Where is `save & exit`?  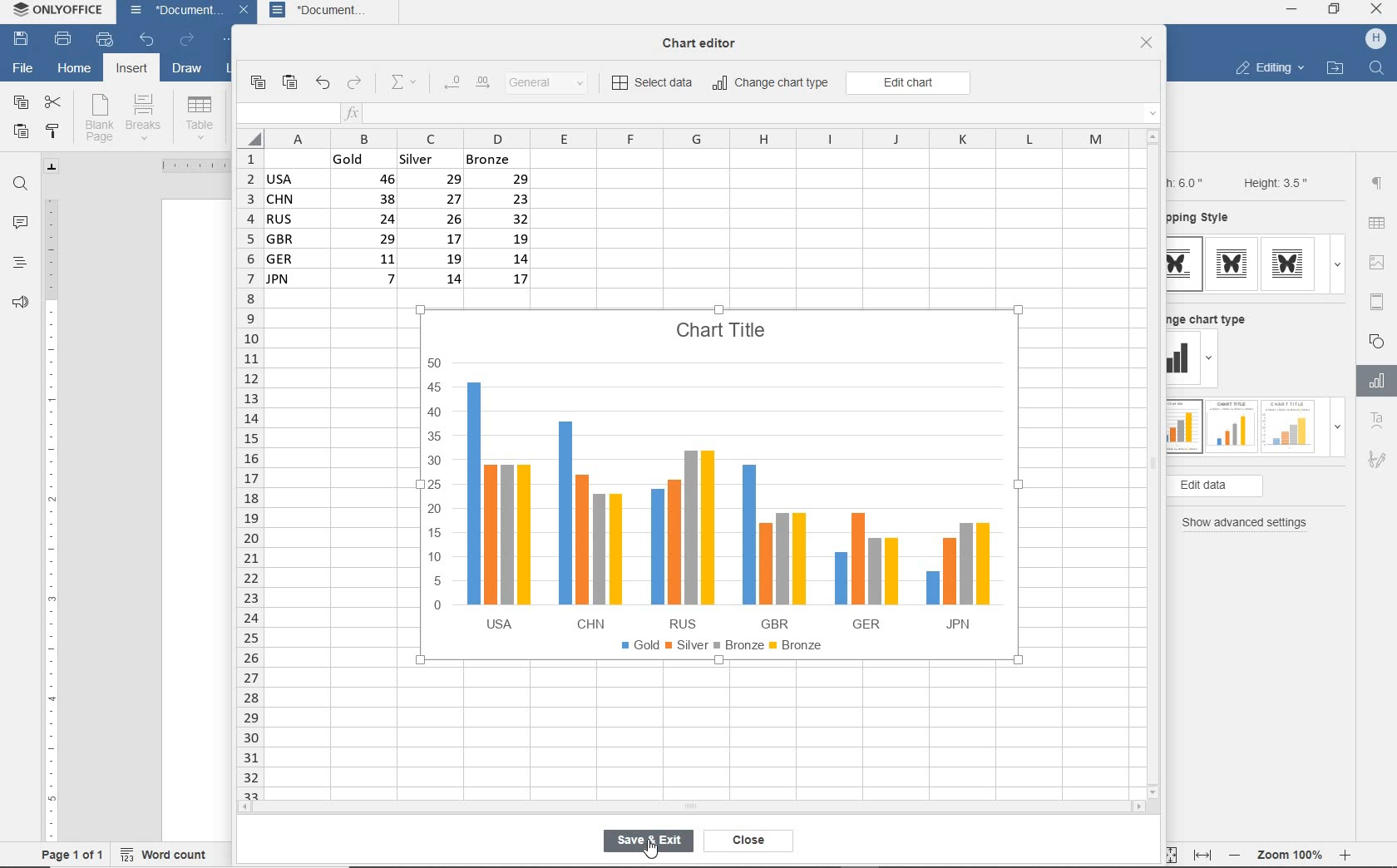
save & exit is located at coordinates (648, 842).